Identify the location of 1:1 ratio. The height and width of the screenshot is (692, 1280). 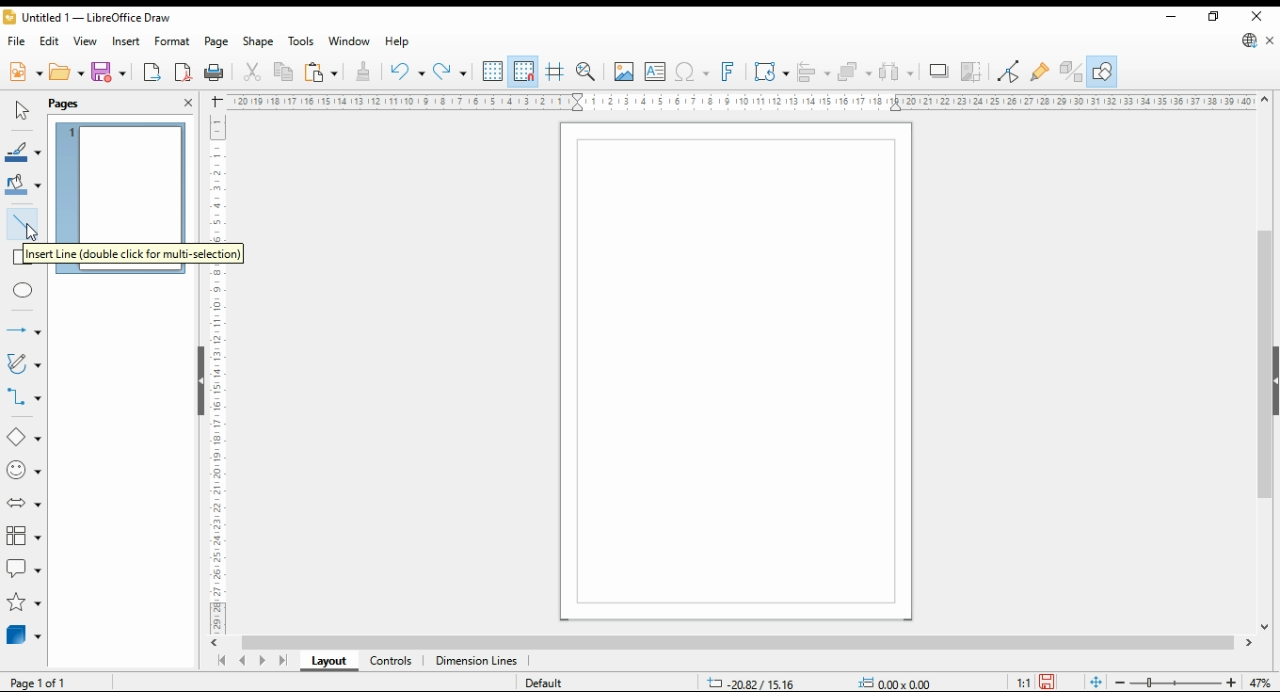
(1036, 680).